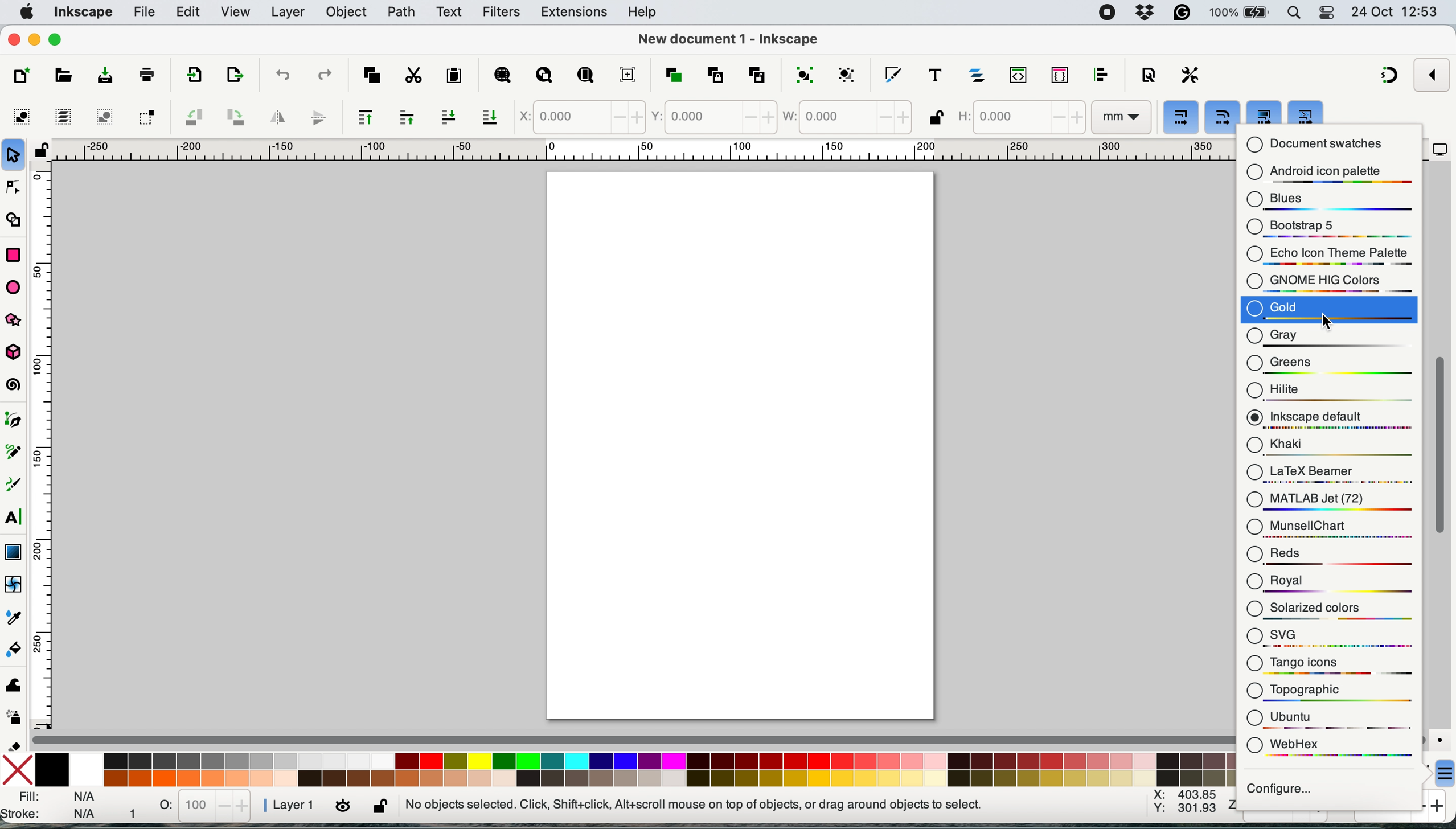  Describe the element at coordinates (734, 40) in the screenshot. I see `New document 1 - Inkscape` at that location.